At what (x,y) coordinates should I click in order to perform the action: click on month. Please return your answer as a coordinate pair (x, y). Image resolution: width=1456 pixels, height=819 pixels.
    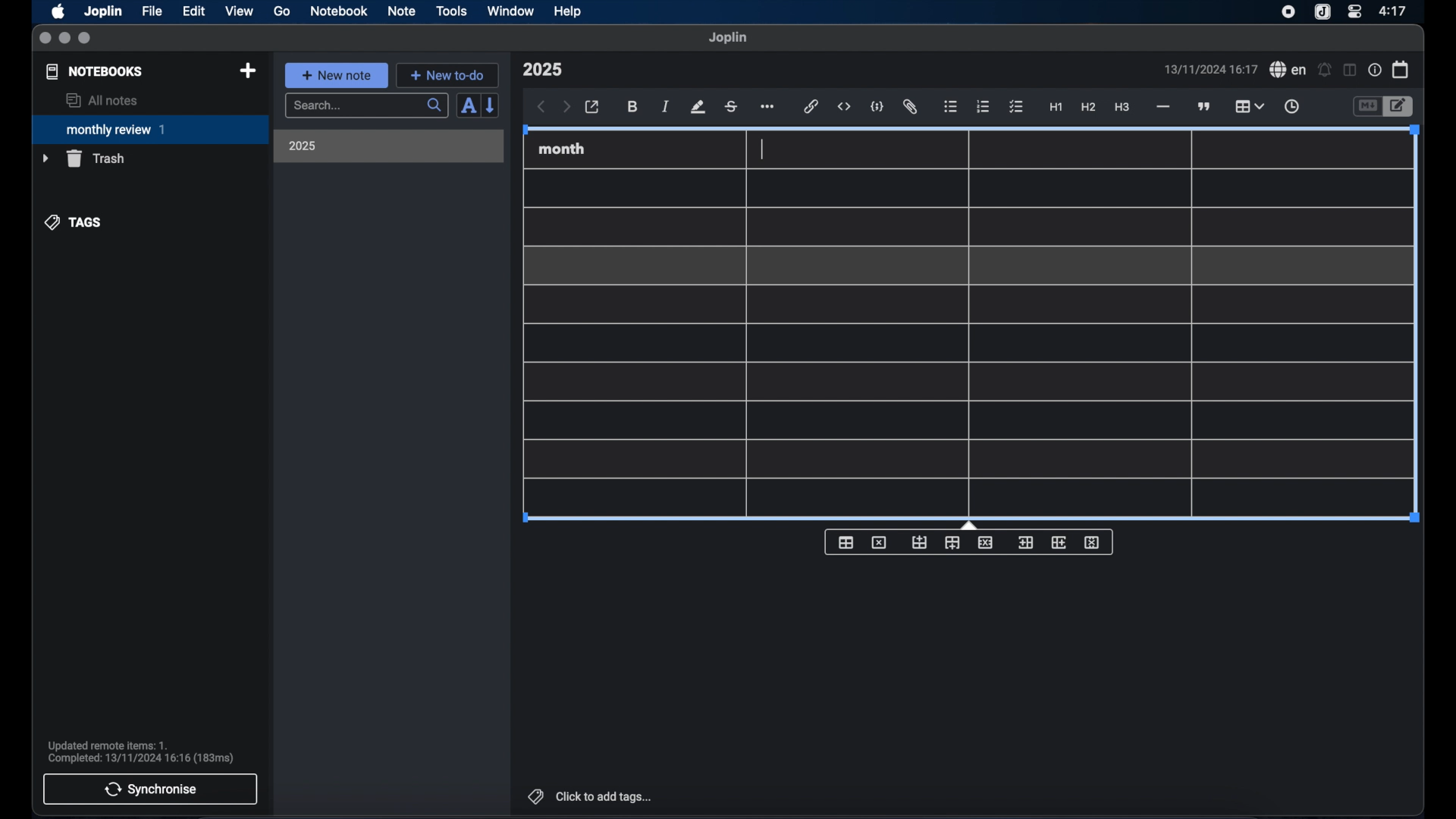
    Looking at the image, I should click on (562, 149).